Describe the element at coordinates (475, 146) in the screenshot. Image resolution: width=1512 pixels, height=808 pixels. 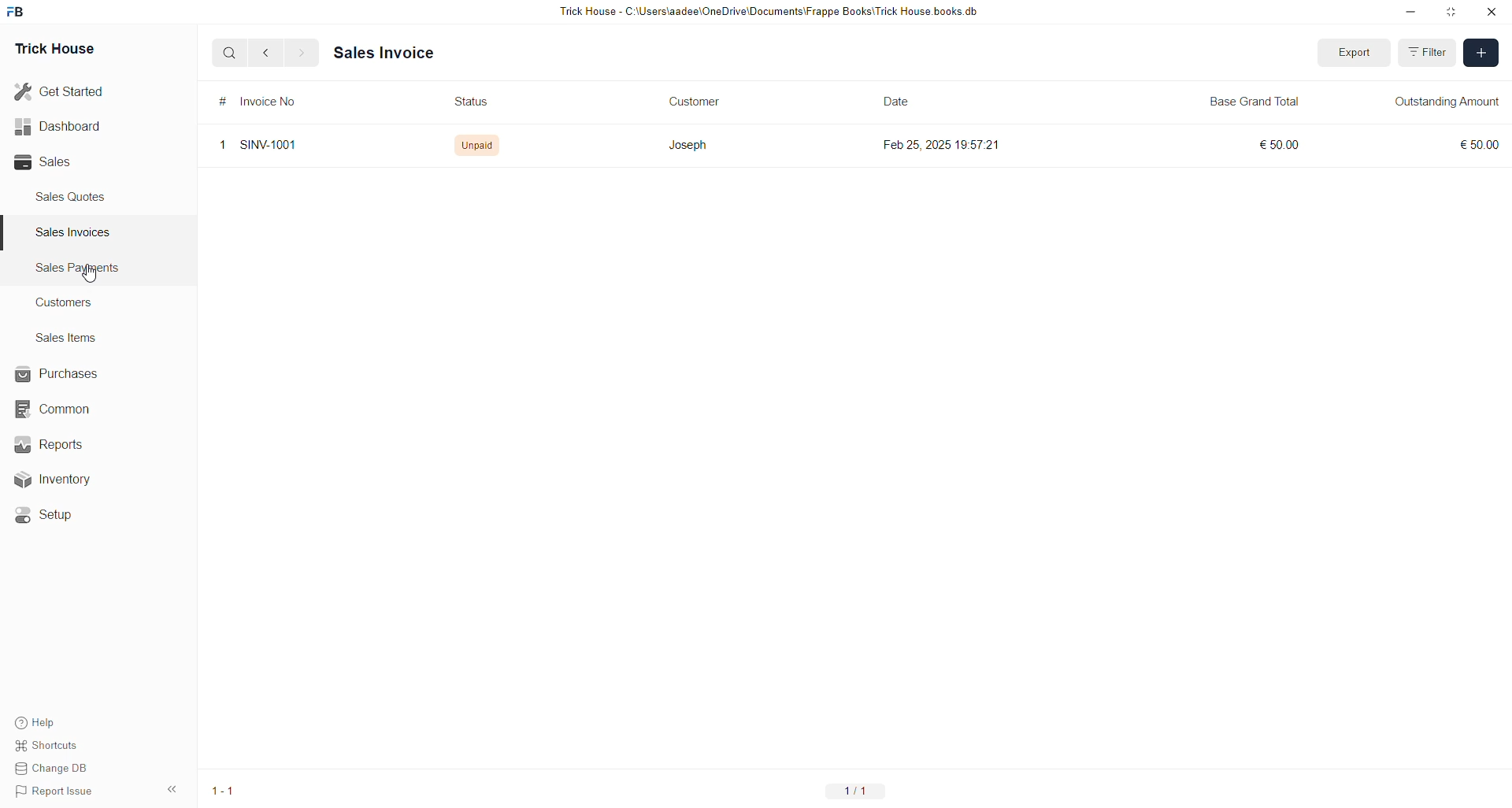
I see `Unpaid` at that location.